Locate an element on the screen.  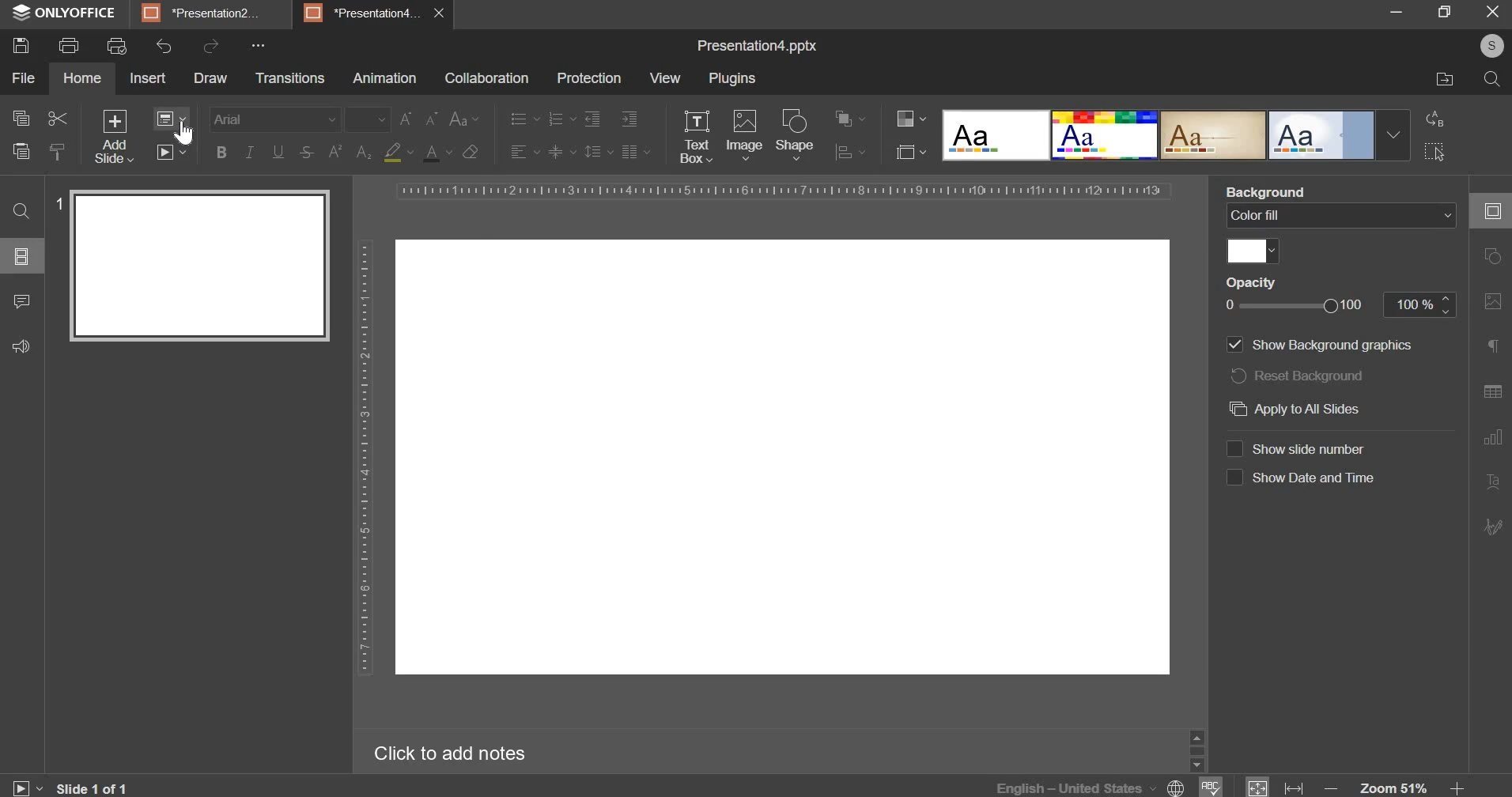
print preview is located at coordinates (116, 46).